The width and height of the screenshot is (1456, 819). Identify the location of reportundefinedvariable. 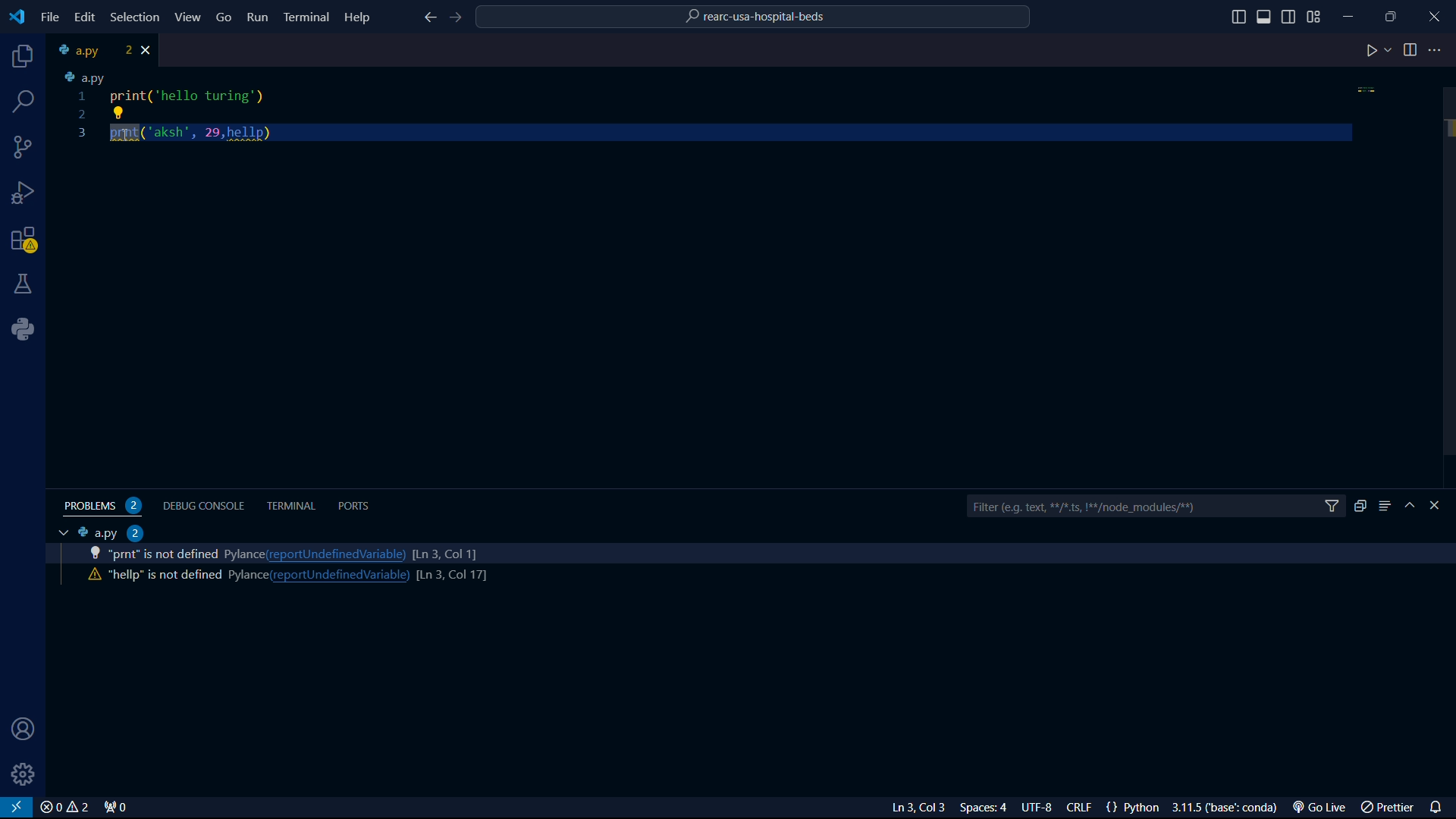
(339, 576).